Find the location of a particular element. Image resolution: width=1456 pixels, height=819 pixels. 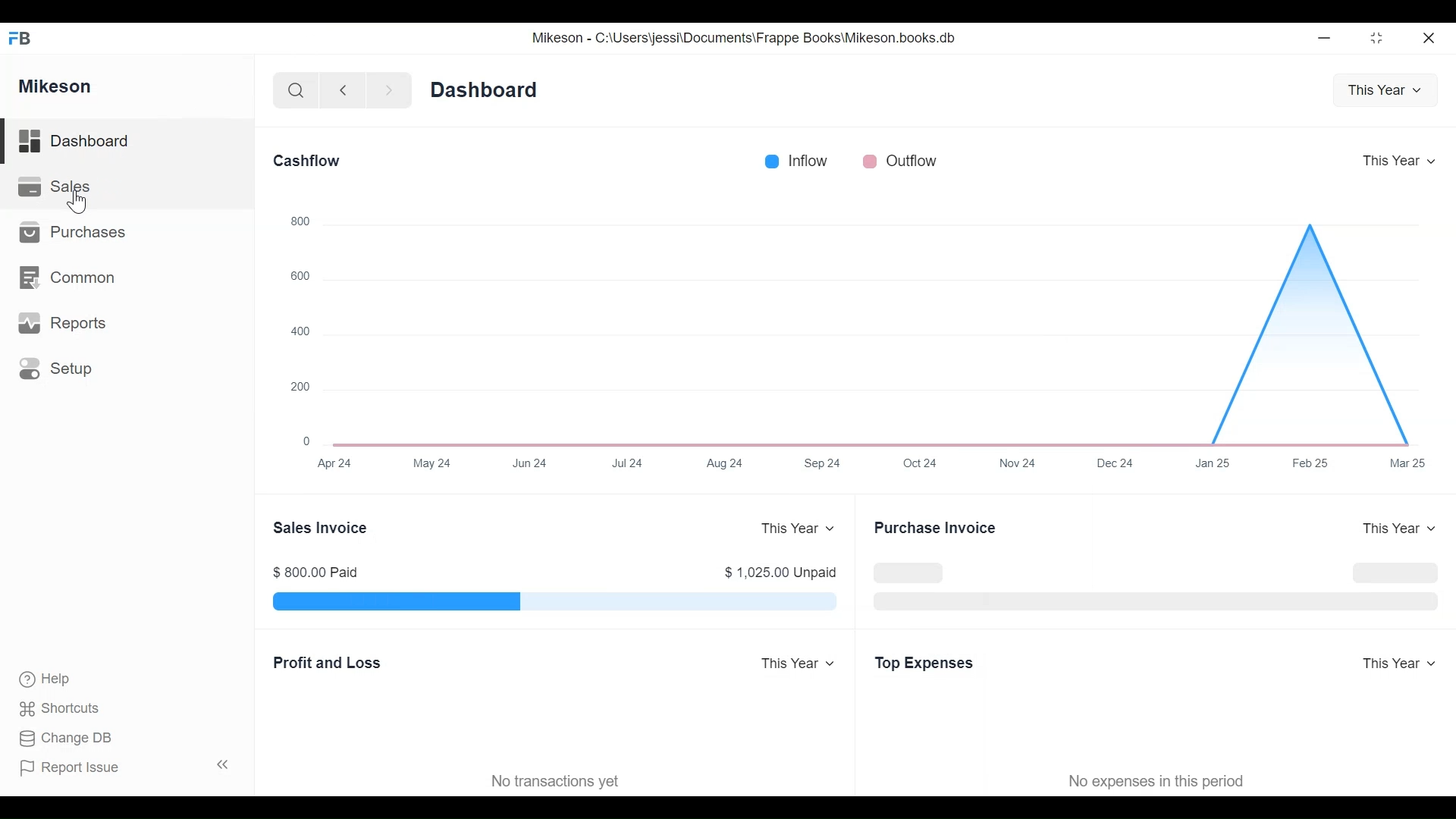

Profit and Loss is located at coordinates (325, 662).